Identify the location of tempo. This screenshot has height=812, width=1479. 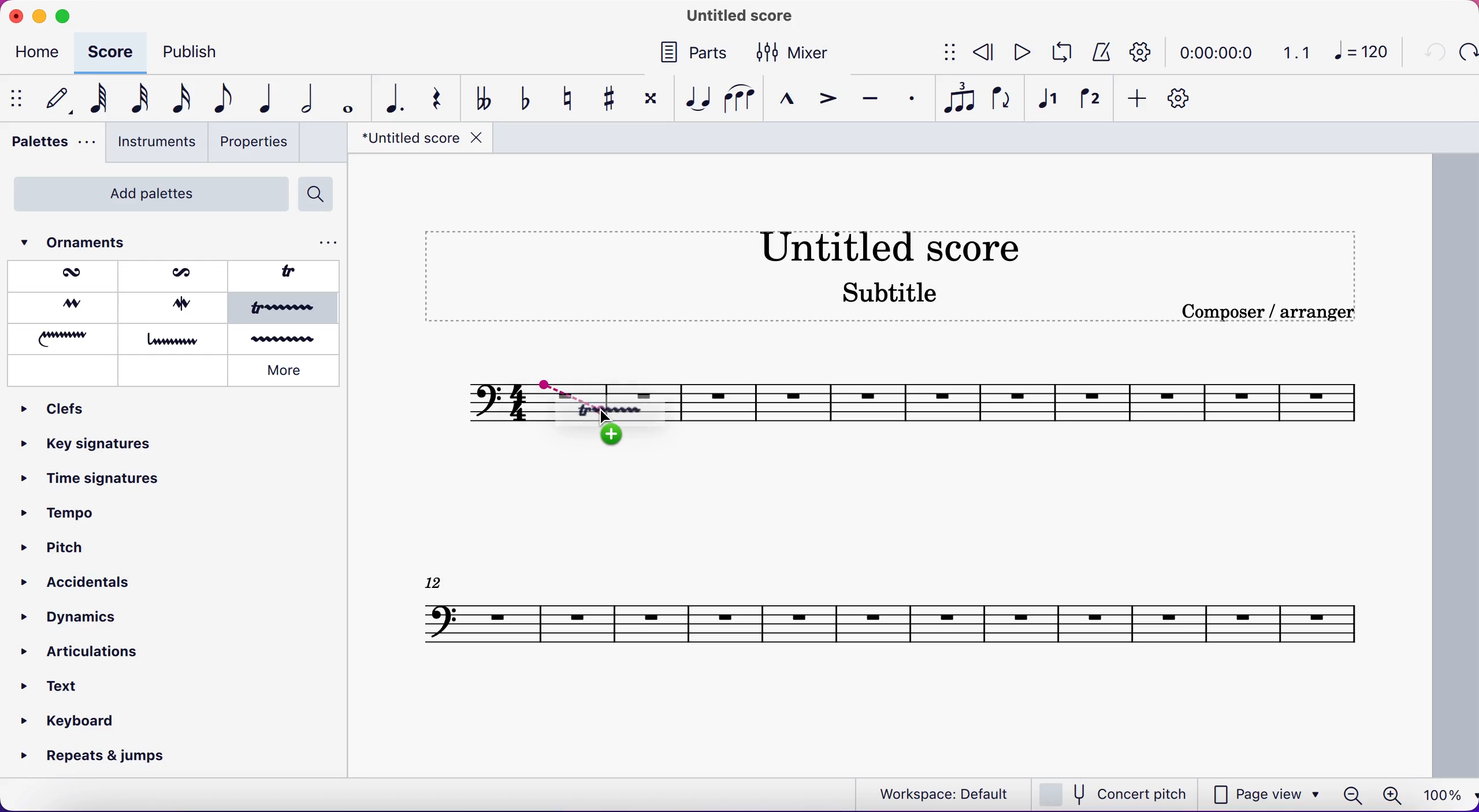
(68, 517).